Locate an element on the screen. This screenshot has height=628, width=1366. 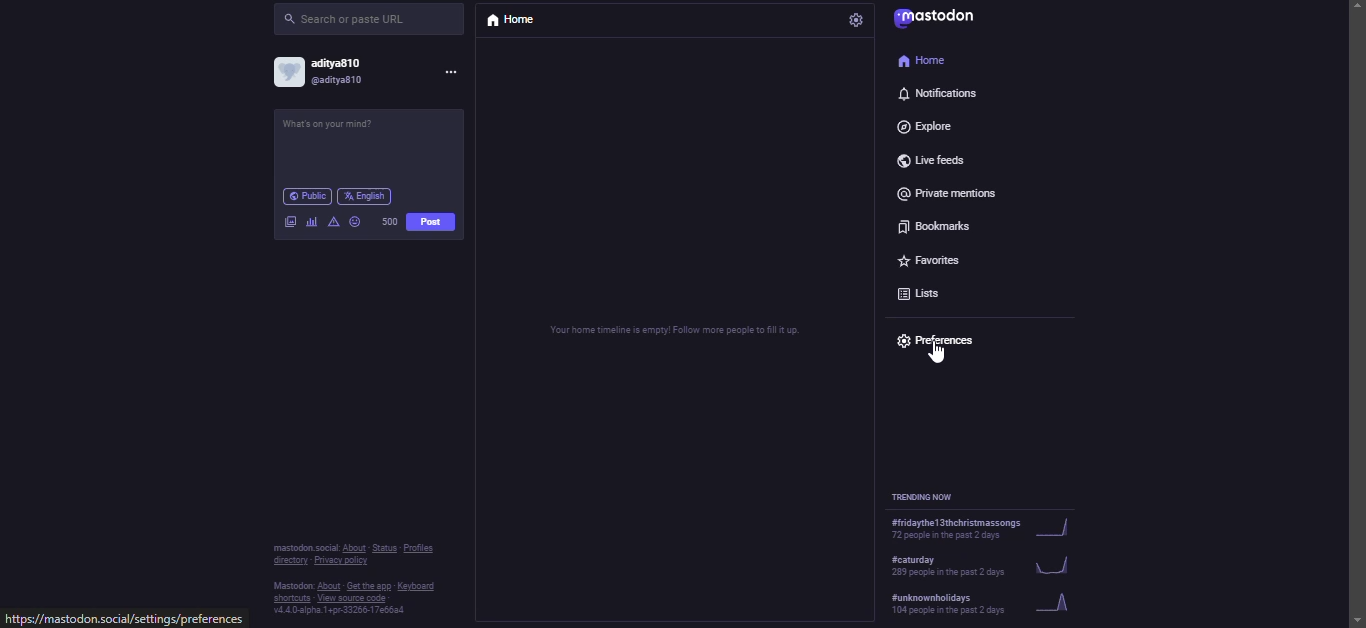
advanced is located at coordinates (331, 220).